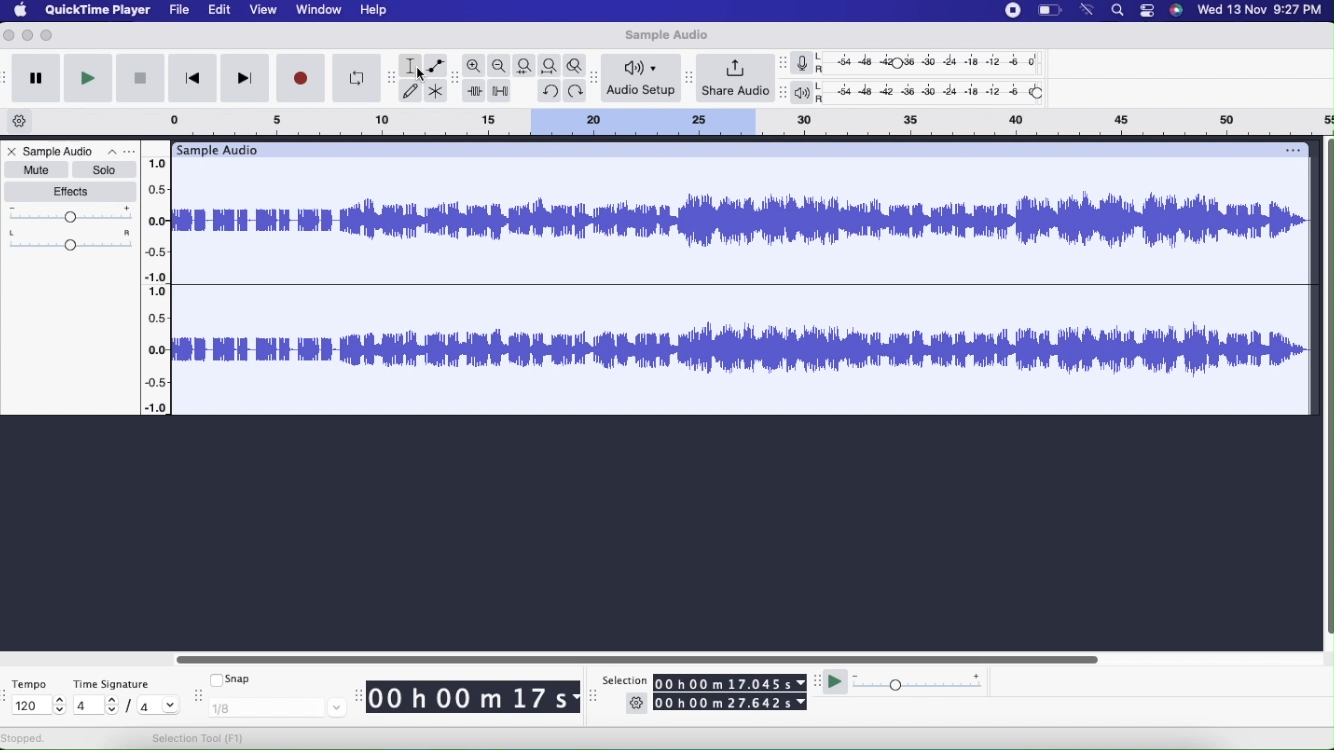 This screenshot has height=750, width=1334. Describe the element at coordinates (278, 707) in the screenshot. I see `1/8` at that location.